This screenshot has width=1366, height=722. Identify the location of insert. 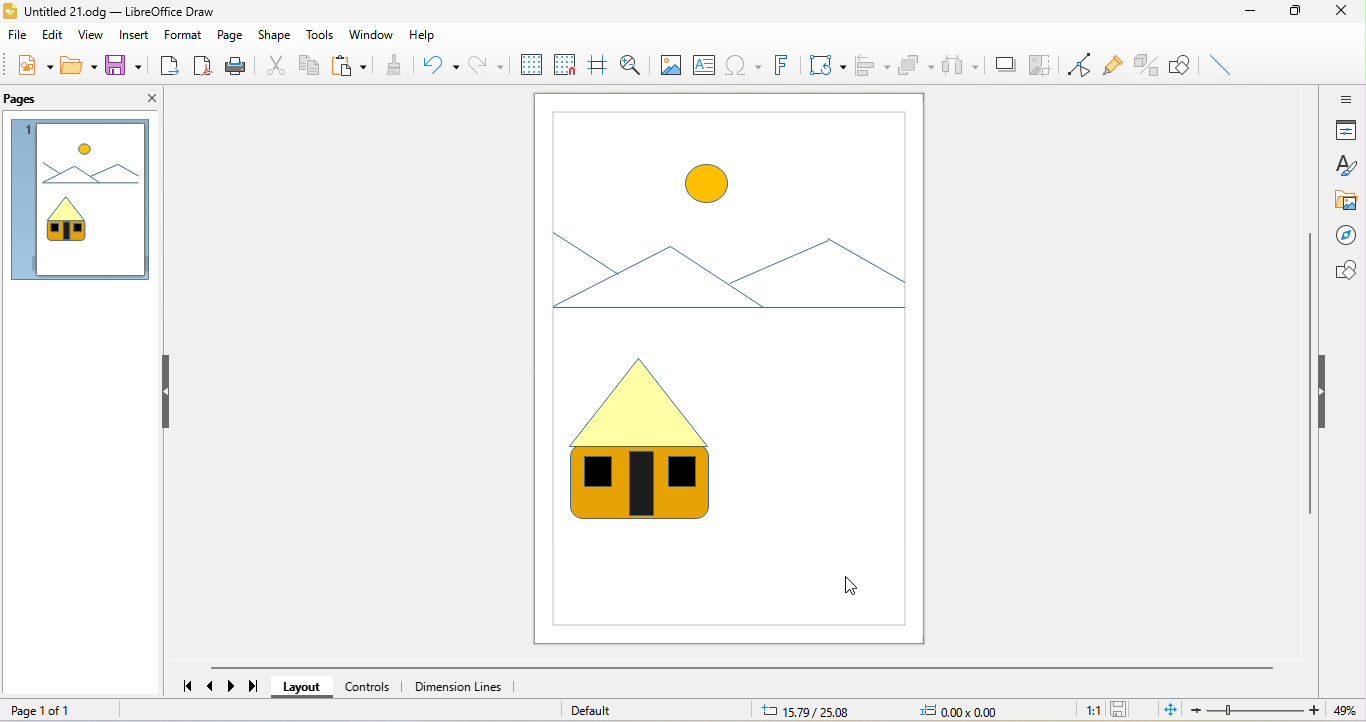
(135, 36).